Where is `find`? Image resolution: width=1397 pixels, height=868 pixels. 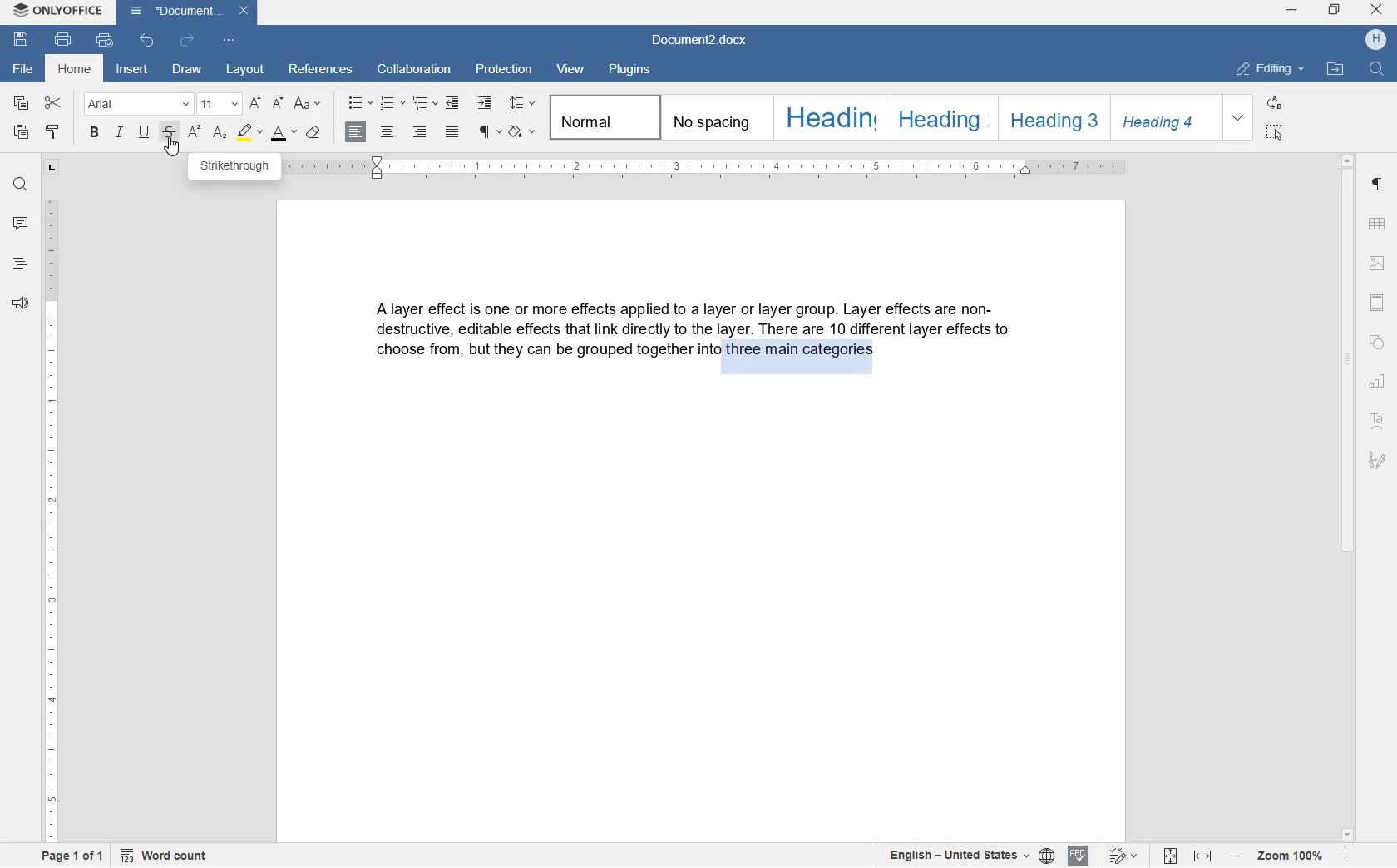 find is located at coordinates (18, 185).